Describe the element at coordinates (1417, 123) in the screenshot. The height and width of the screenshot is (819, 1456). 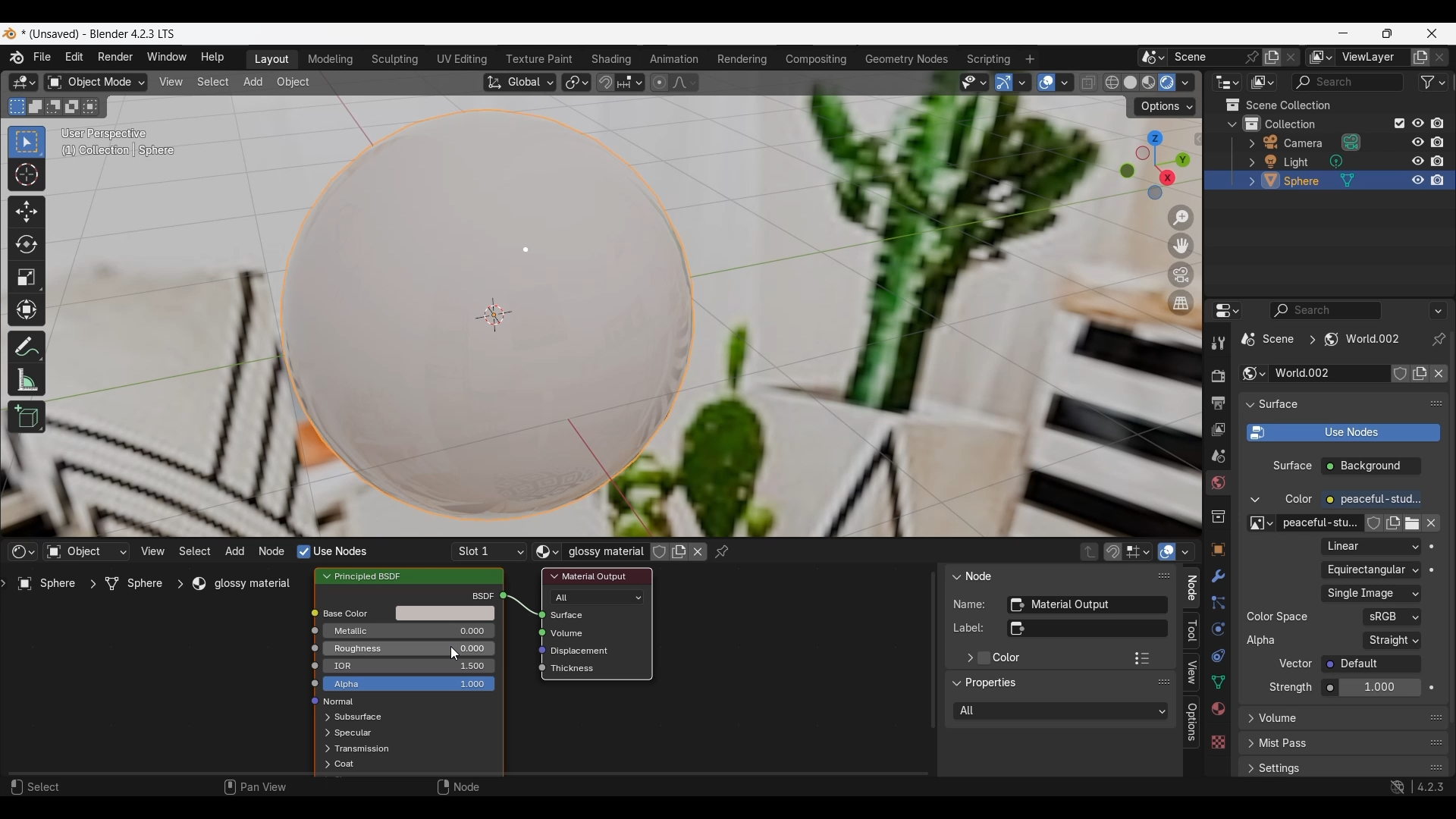
I see `Respectively hide in viewport` at that location.